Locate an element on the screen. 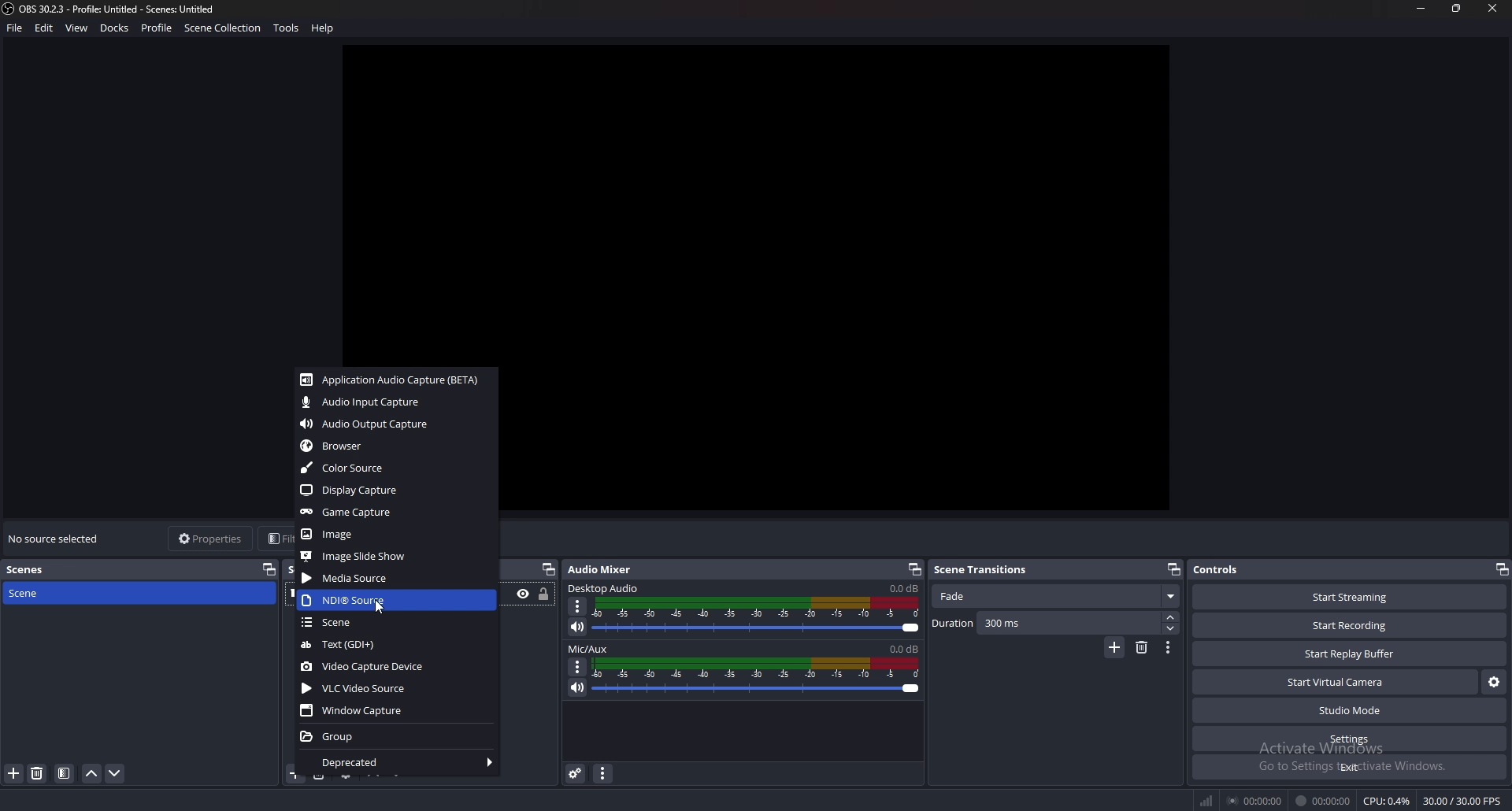 The height and width of the screenshot is (811, 1512). volume level is located at coordinates (906, 648).